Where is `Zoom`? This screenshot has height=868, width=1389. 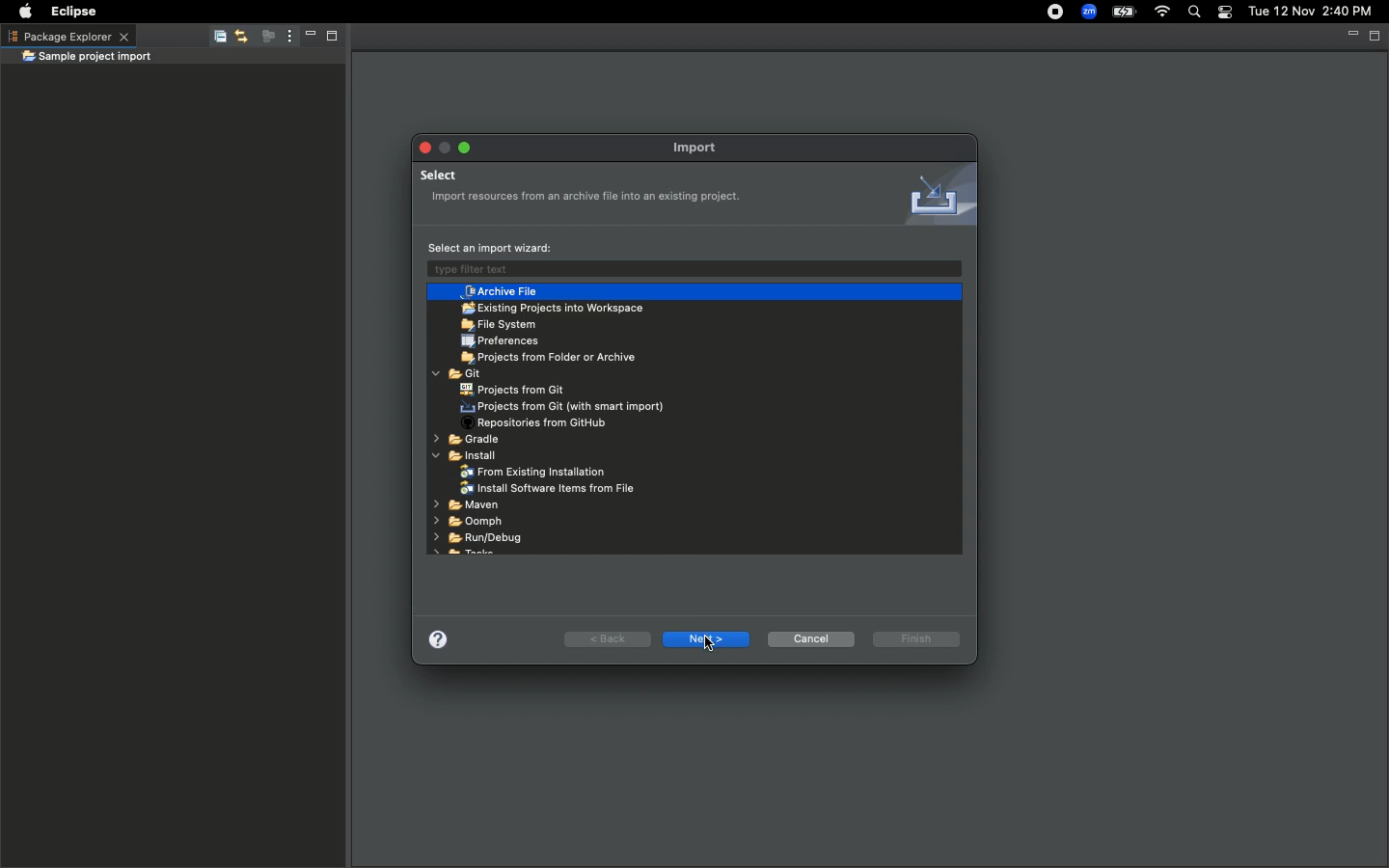
Zoom is located at coordinates (1087, 12).